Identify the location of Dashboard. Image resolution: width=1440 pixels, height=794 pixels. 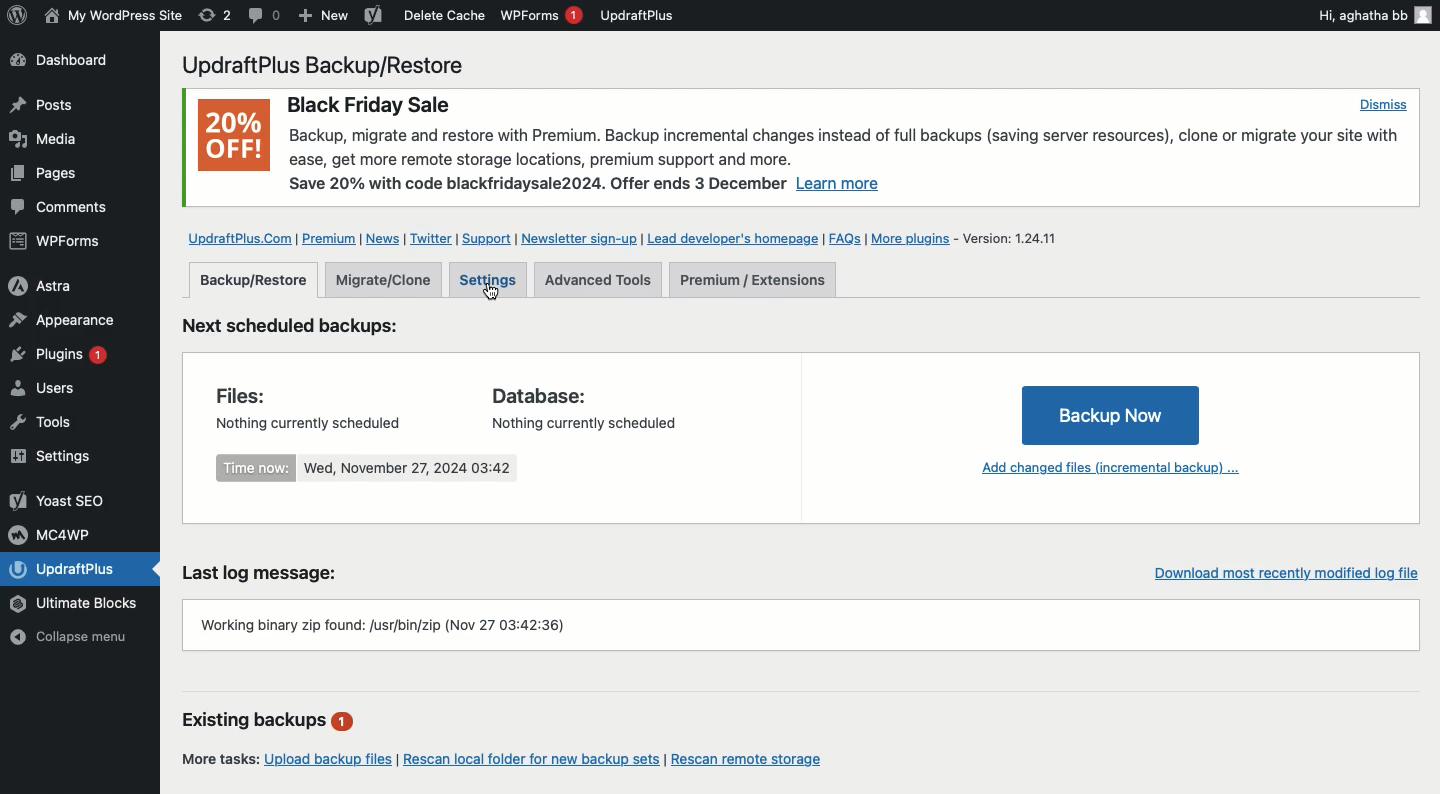
(72, 62).